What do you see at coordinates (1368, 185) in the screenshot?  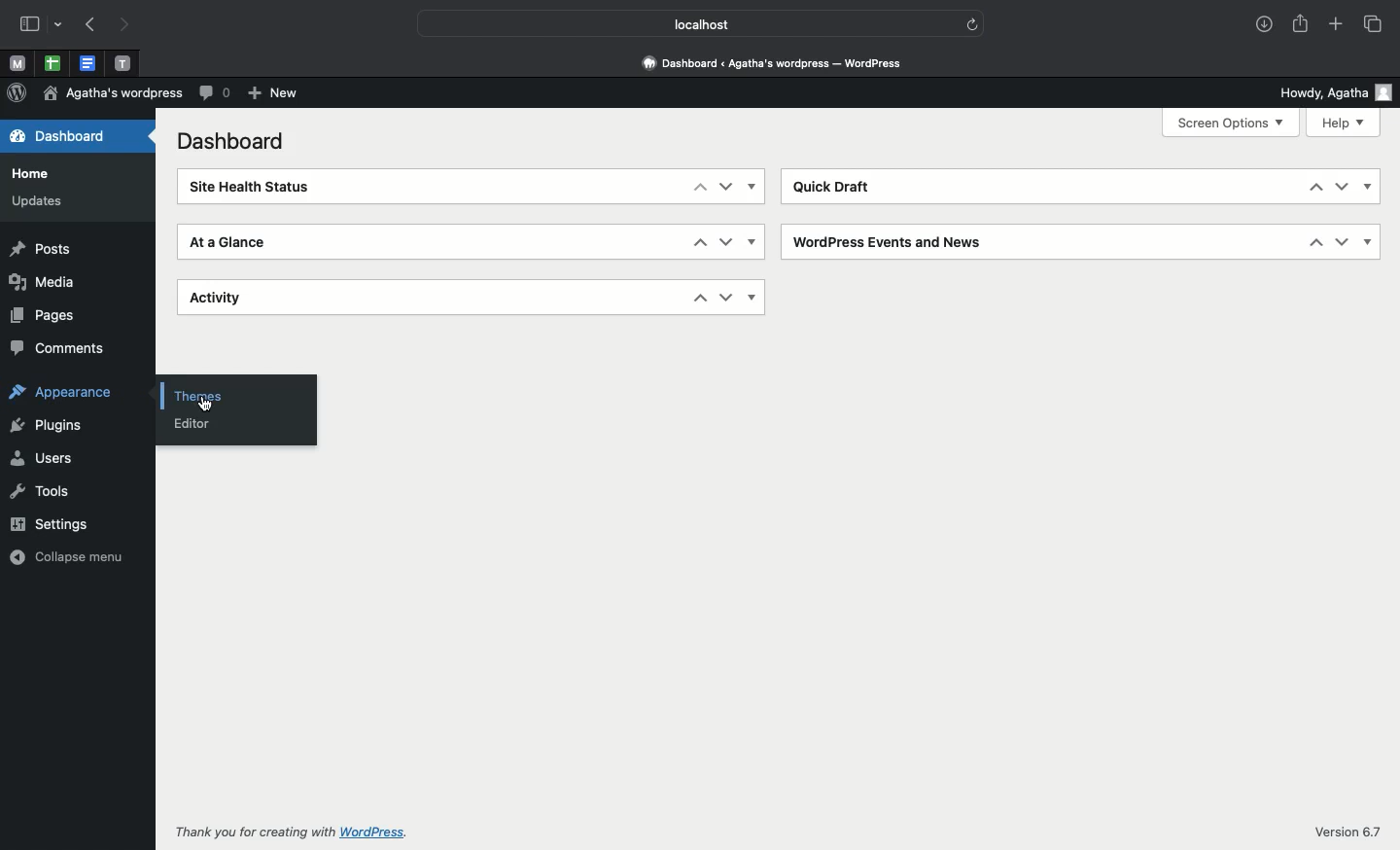 I see `Show` at bounding box center [1368, 185].